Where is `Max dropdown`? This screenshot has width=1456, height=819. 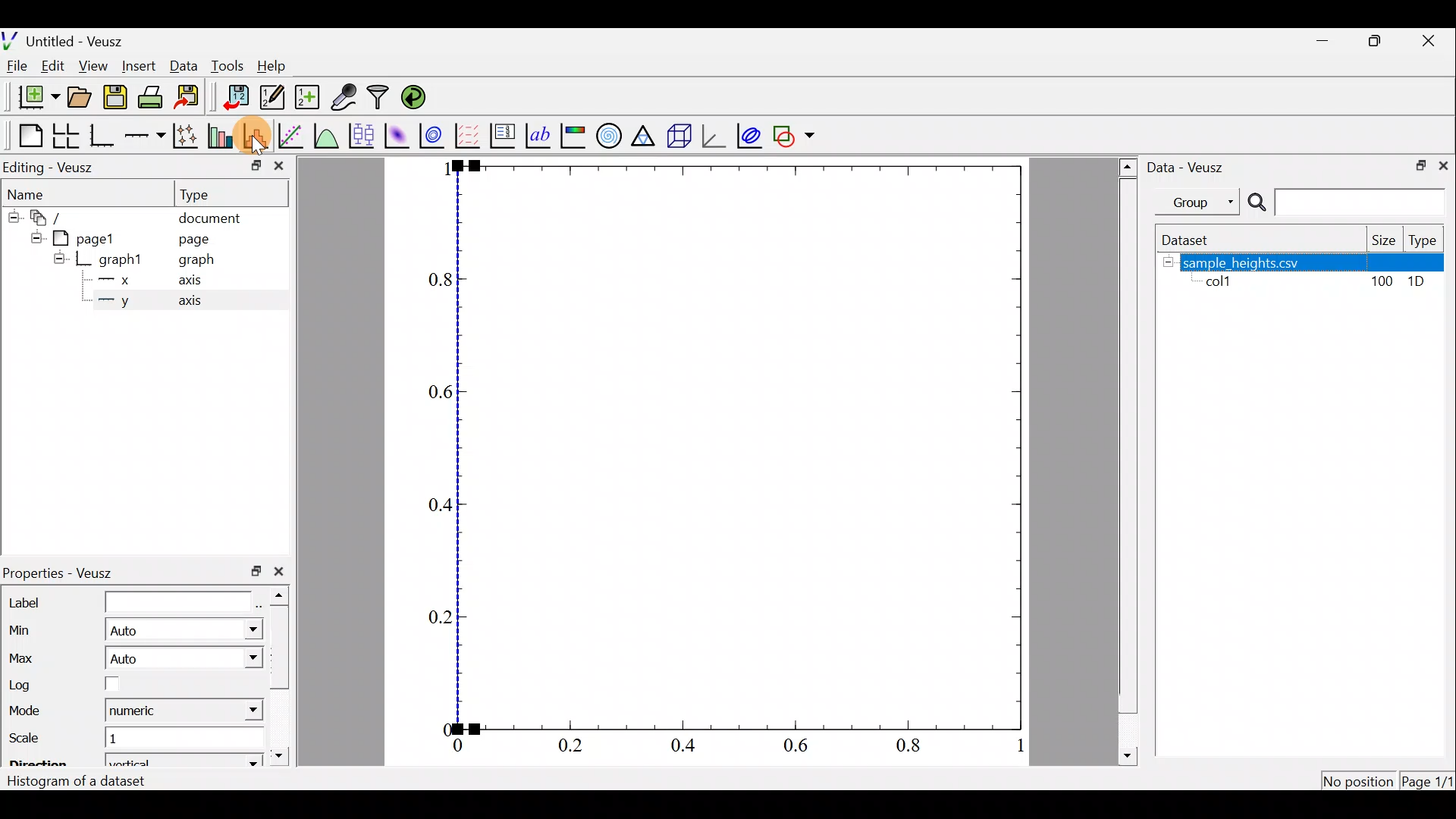
Max dropdown is located at coordinates (229, 657).